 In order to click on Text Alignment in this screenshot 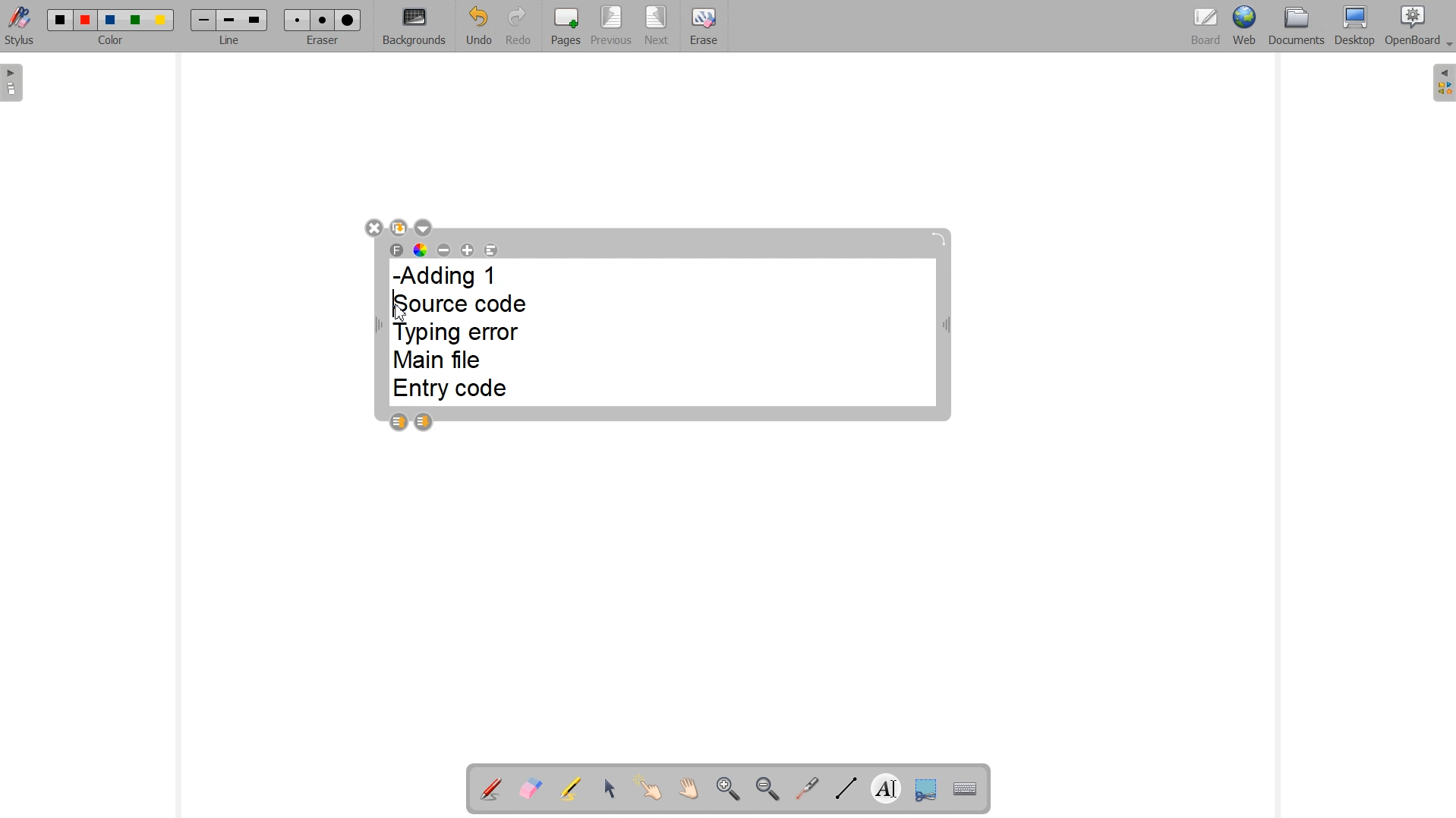, I will do `click(491, 250)`.